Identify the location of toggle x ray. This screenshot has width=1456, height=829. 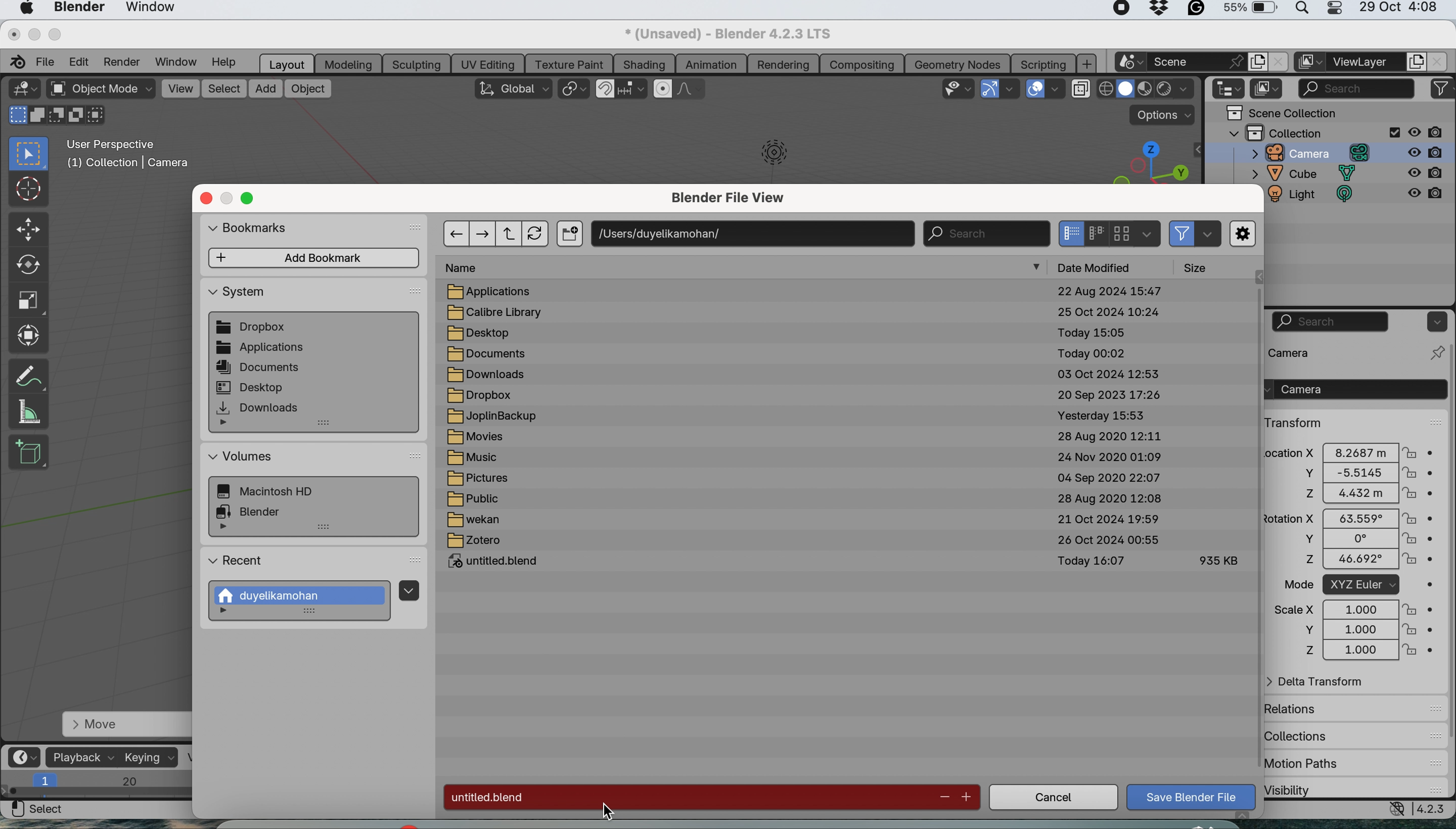
(1080, 91).